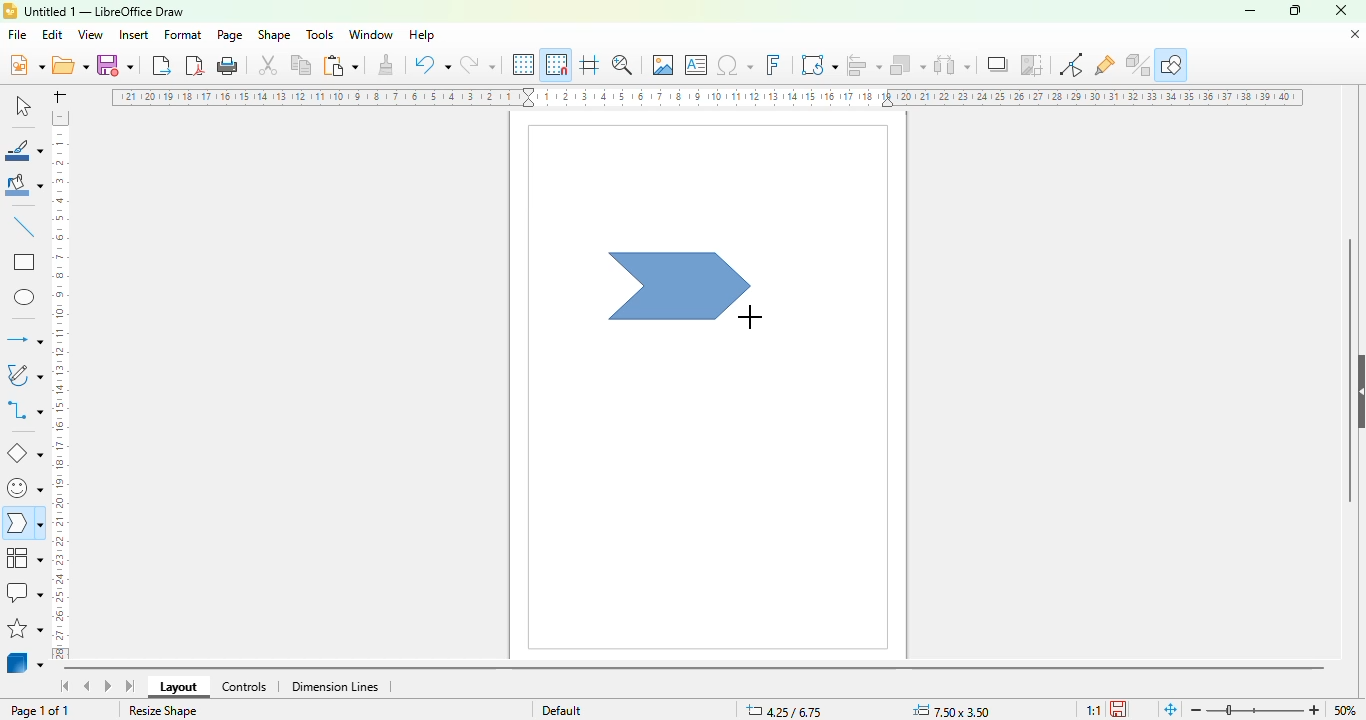 This screenshot has width=1366, height=720. What do you see at coordinates (371, 35) in the screenshot?
I see `window` at bounding box center [371, 35].